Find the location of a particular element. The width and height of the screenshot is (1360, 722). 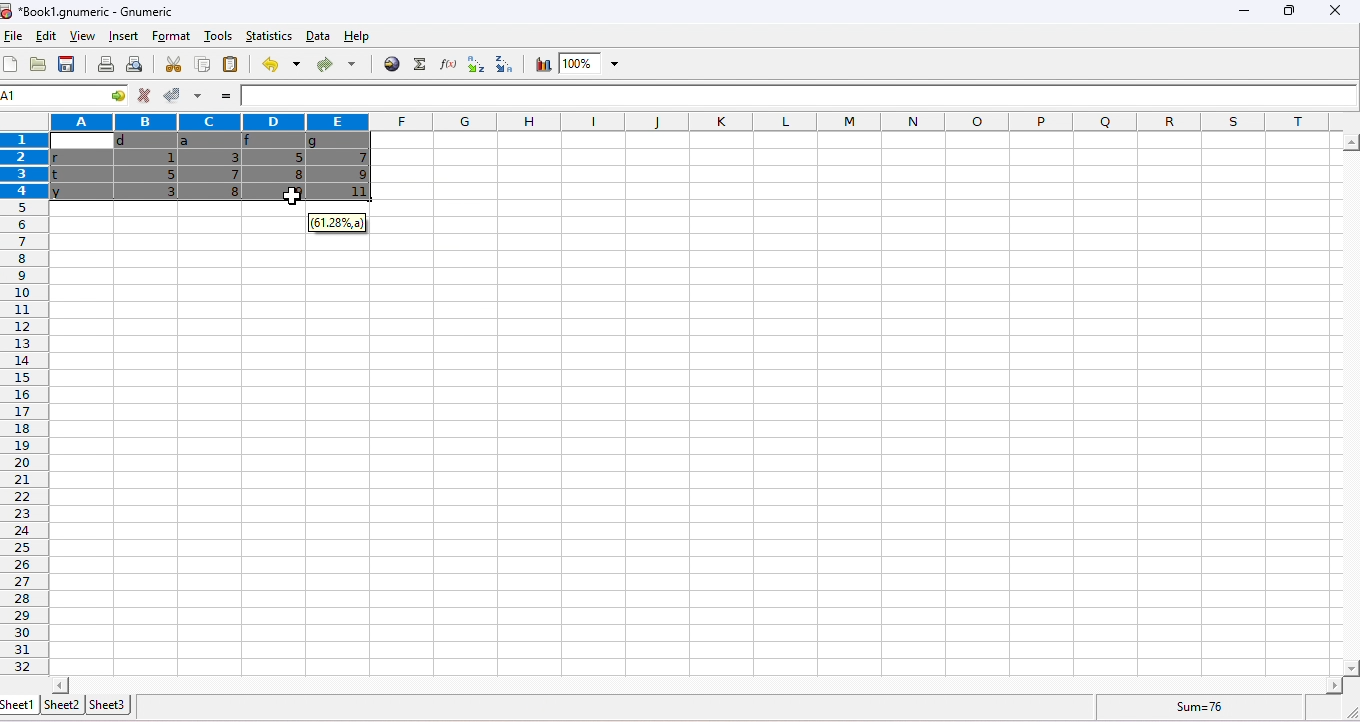

statistics is located at coordinates (267, 35).